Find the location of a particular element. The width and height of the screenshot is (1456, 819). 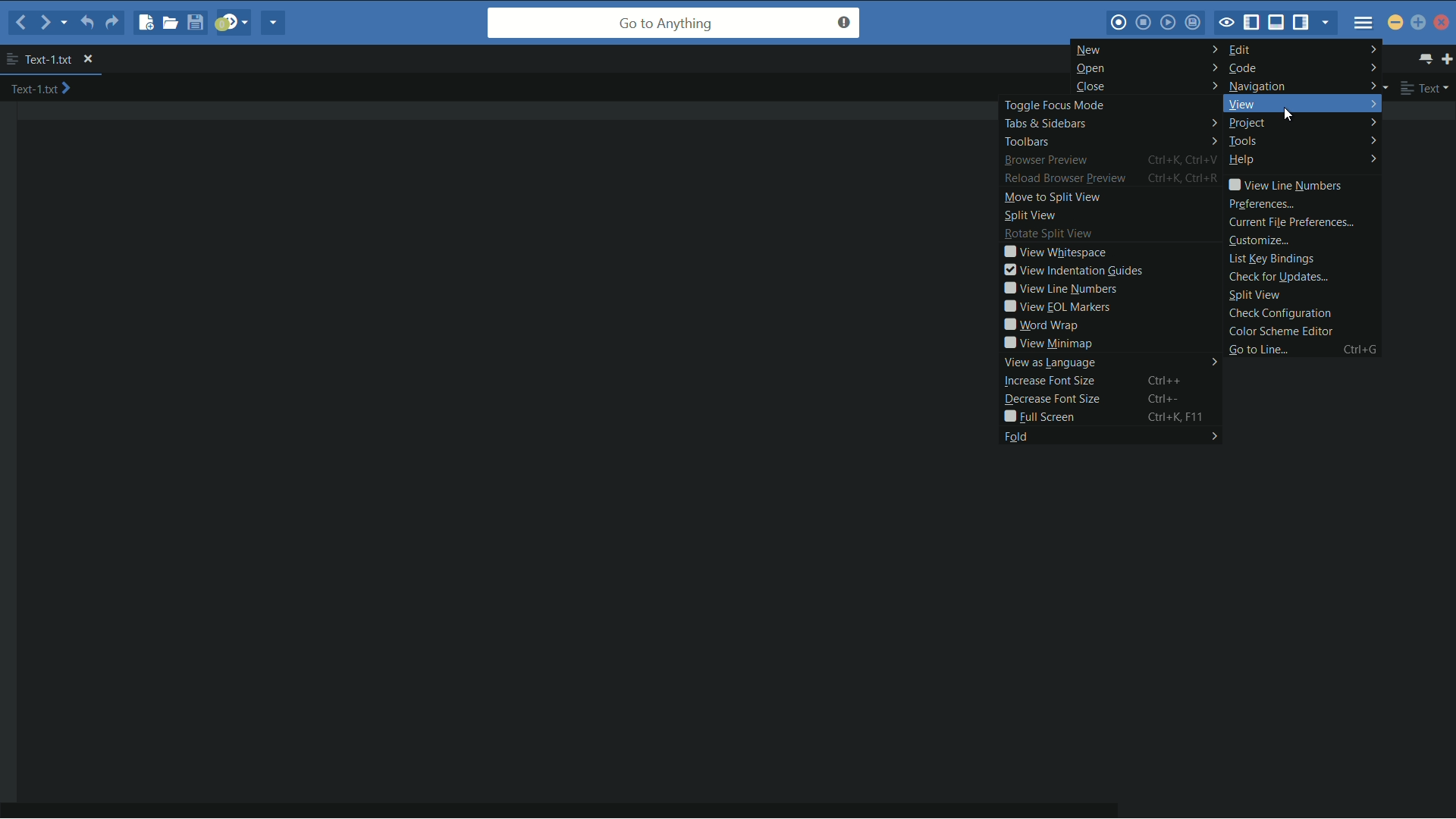

recent locations is located at coordinates (65, 25).